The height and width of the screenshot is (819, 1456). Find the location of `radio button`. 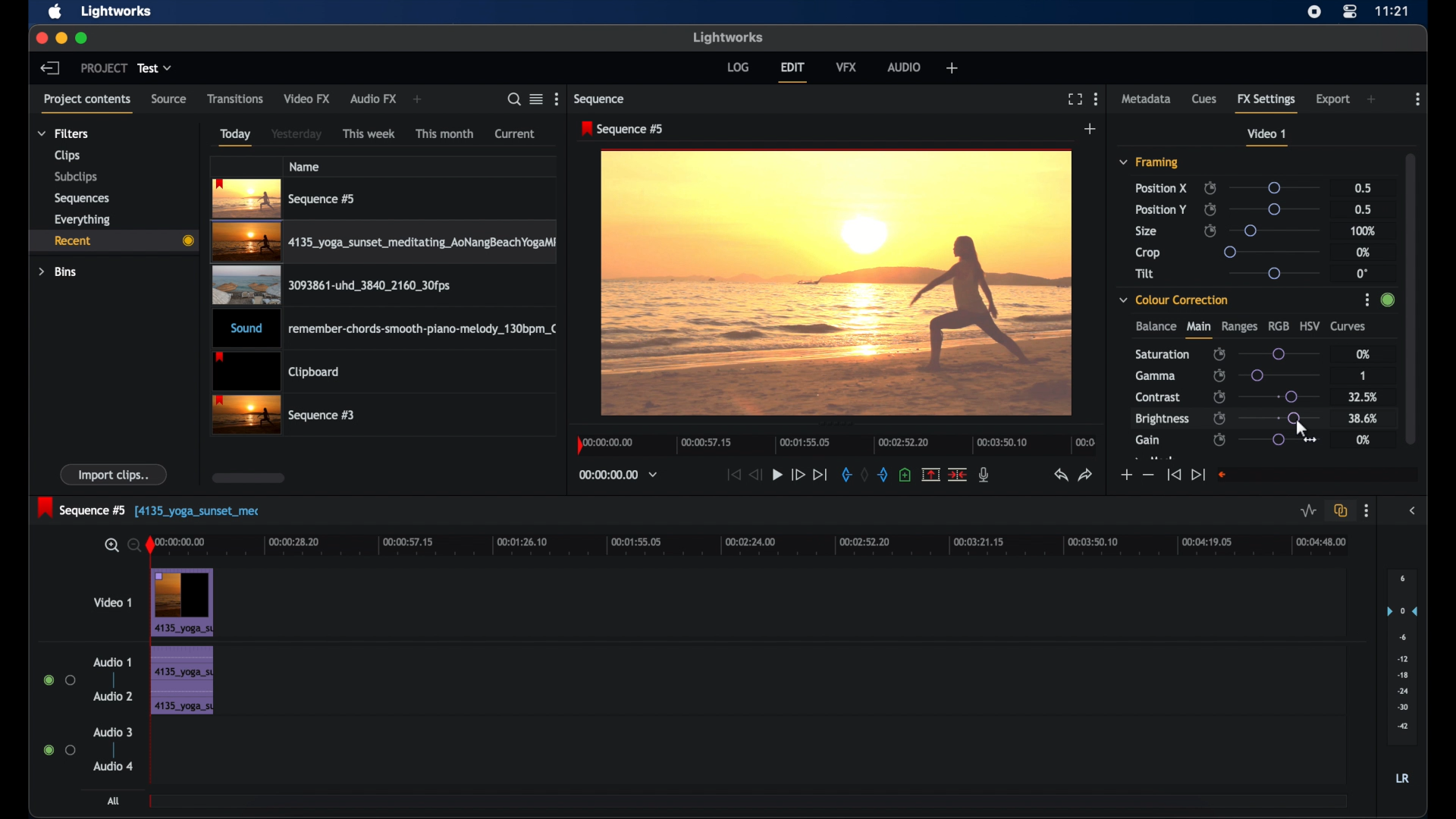

radio button is located at coordinates (59, 749).